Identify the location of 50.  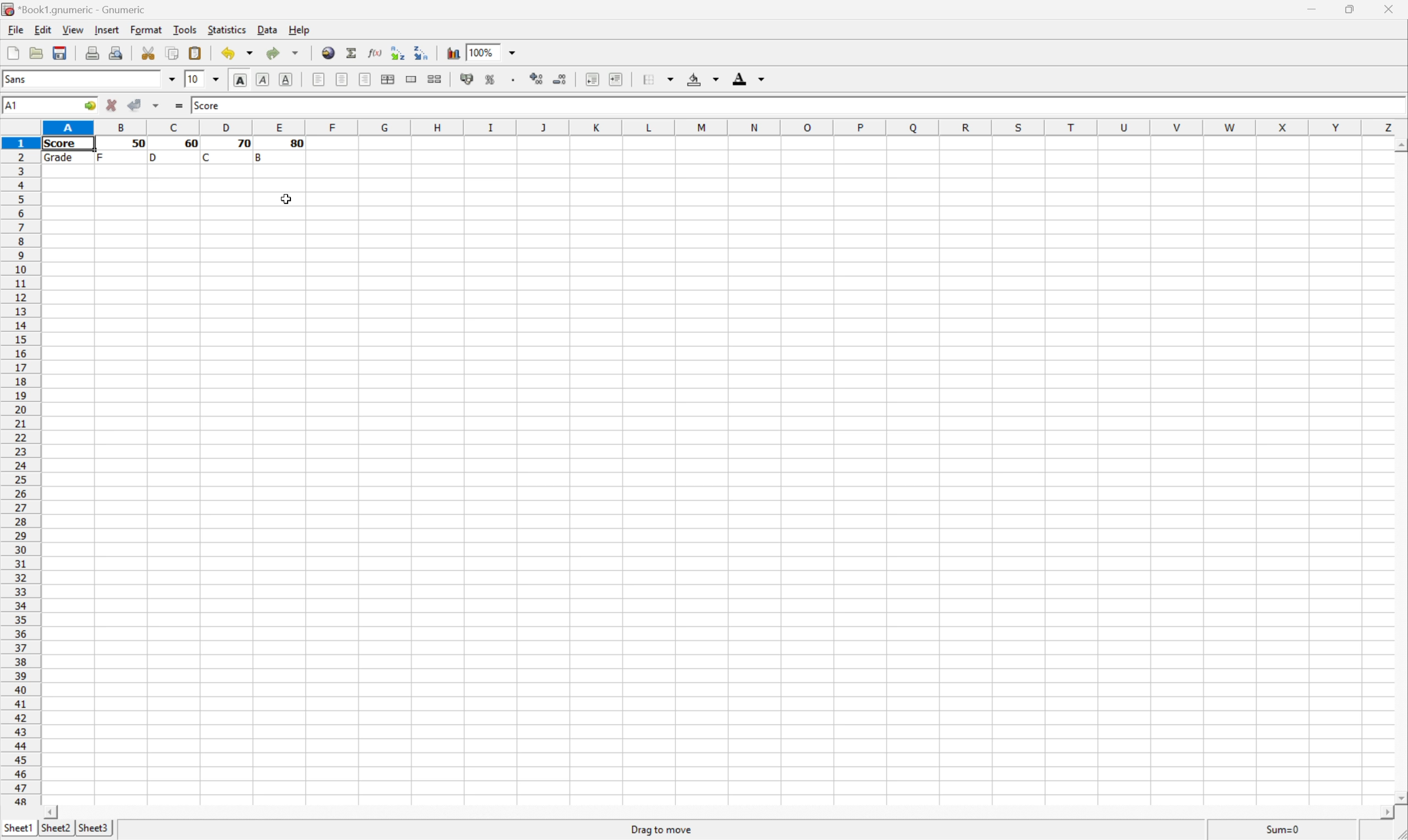
(139, 143).